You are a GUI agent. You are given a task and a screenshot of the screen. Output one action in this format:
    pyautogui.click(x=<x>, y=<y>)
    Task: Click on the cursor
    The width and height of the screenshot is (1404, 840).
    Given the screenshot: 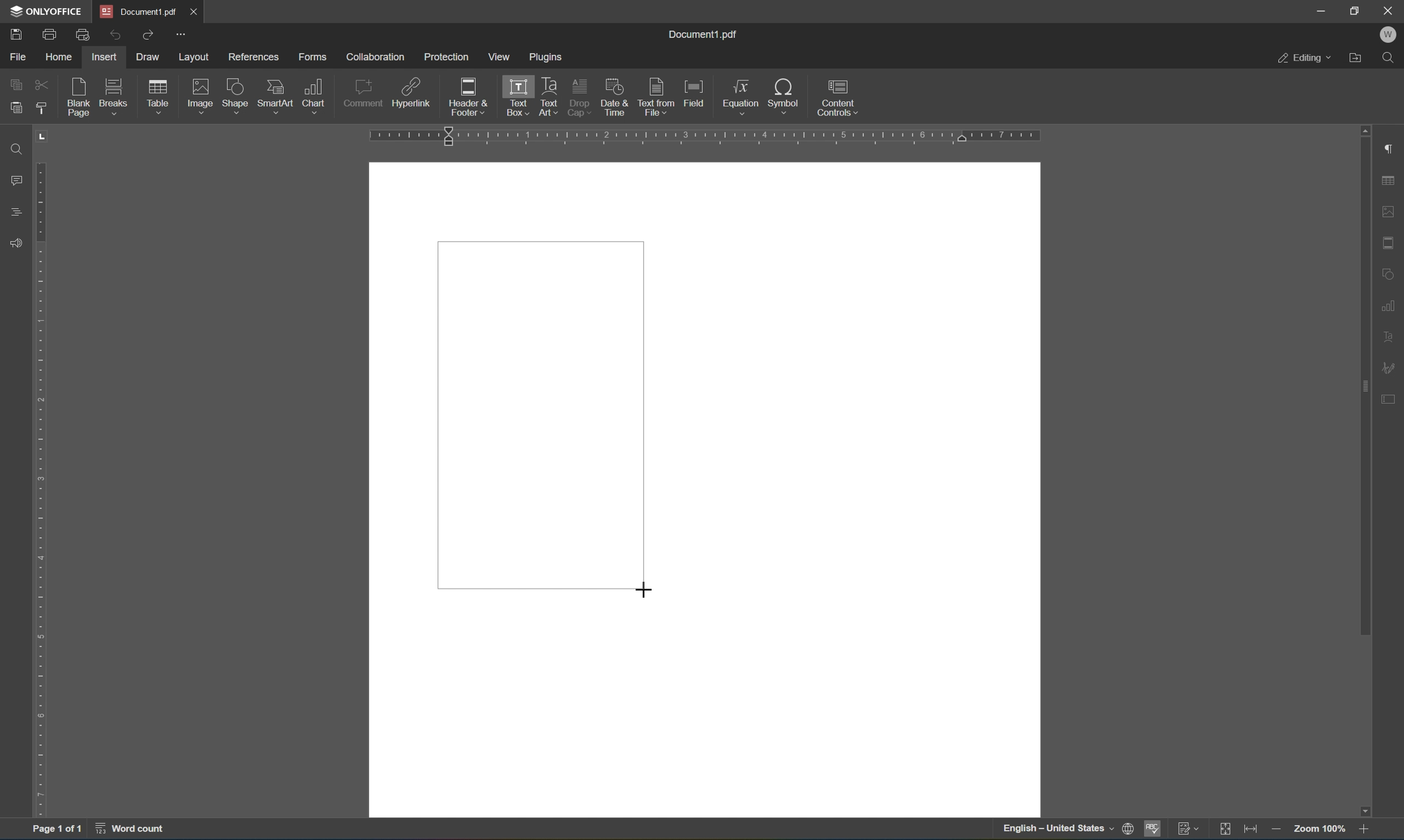 What is the action you would take?
    pyautogui.click(x=644, y=588)
    